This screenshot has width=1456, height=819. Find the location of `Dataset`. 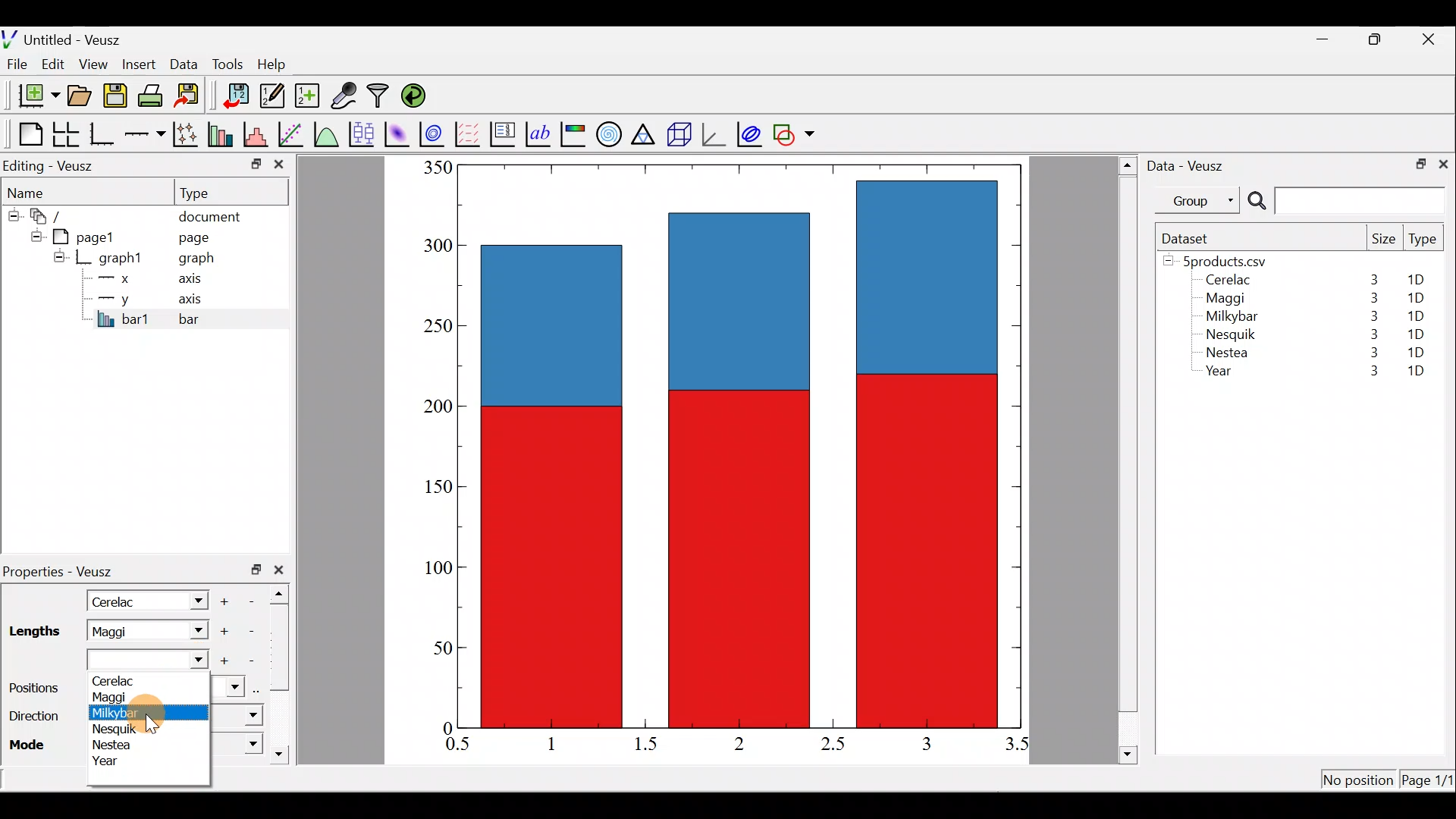

Dataset is located at coordinates (1191, 238).